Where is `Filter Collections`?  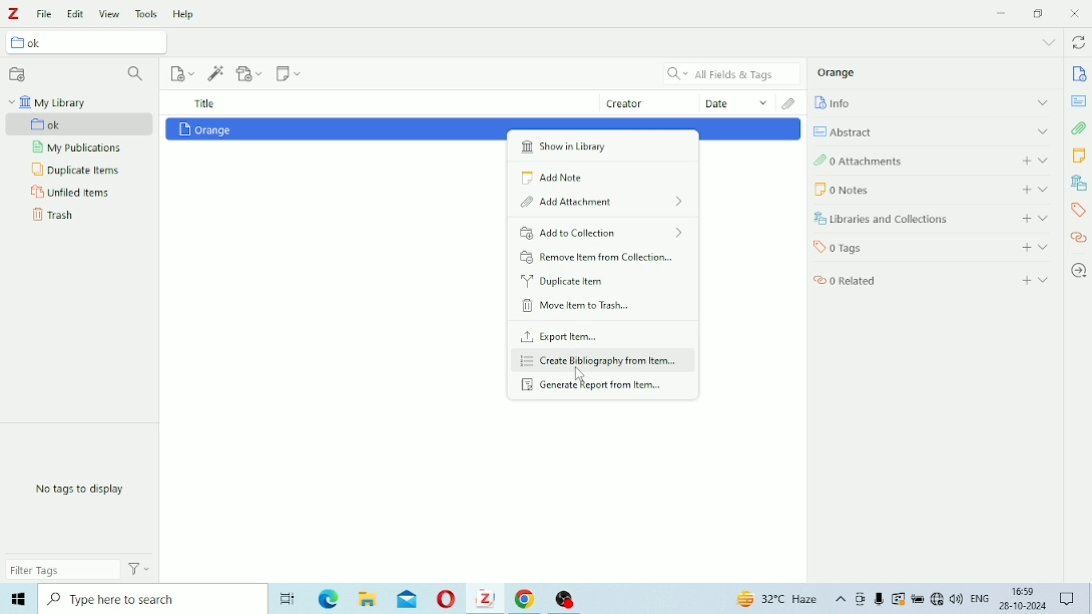
Filter Collections is located at coordinates (137, 75).